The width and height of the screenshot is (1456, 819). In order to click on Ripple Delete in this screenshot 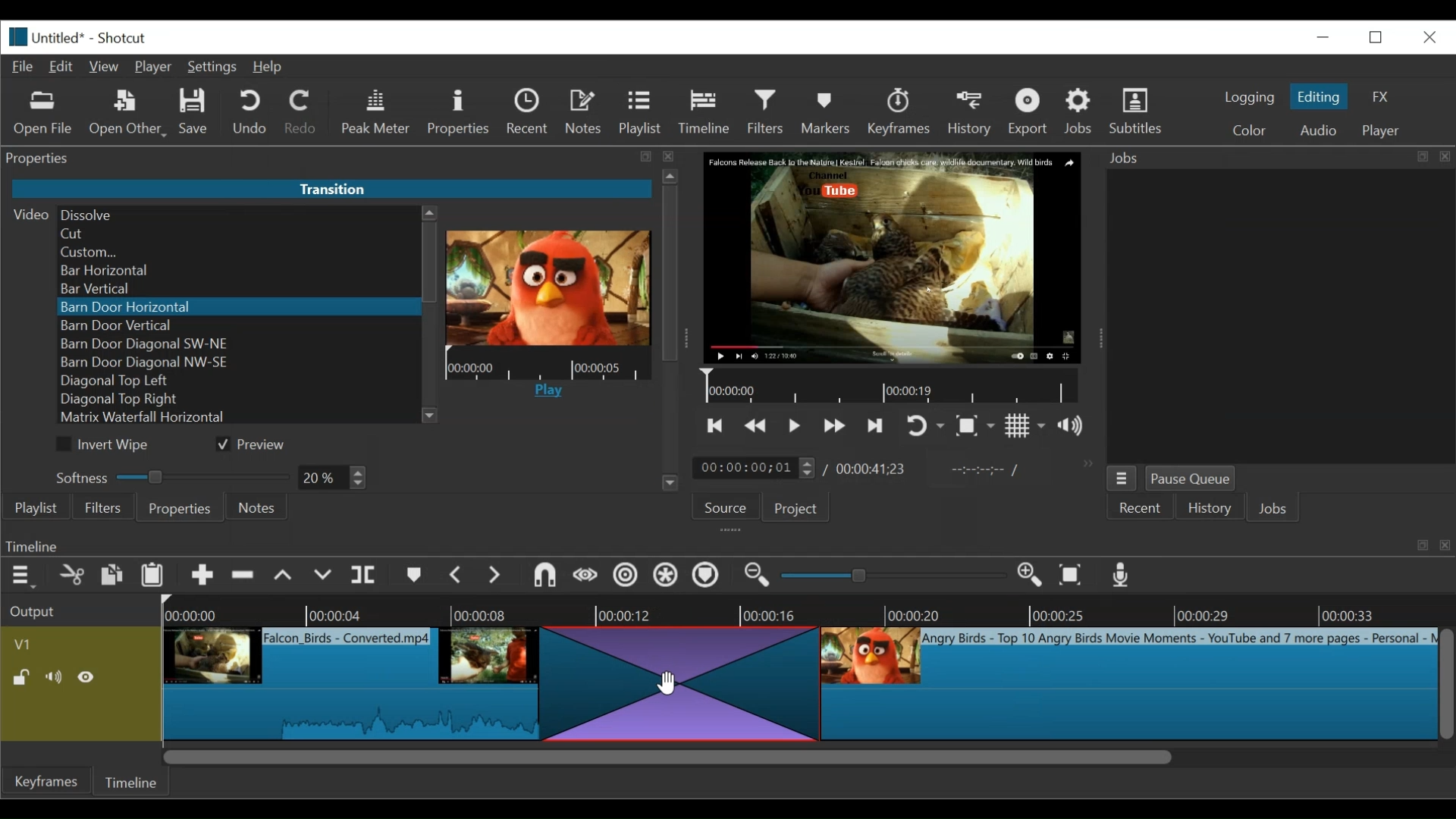, I will do `click(243, 576)`.